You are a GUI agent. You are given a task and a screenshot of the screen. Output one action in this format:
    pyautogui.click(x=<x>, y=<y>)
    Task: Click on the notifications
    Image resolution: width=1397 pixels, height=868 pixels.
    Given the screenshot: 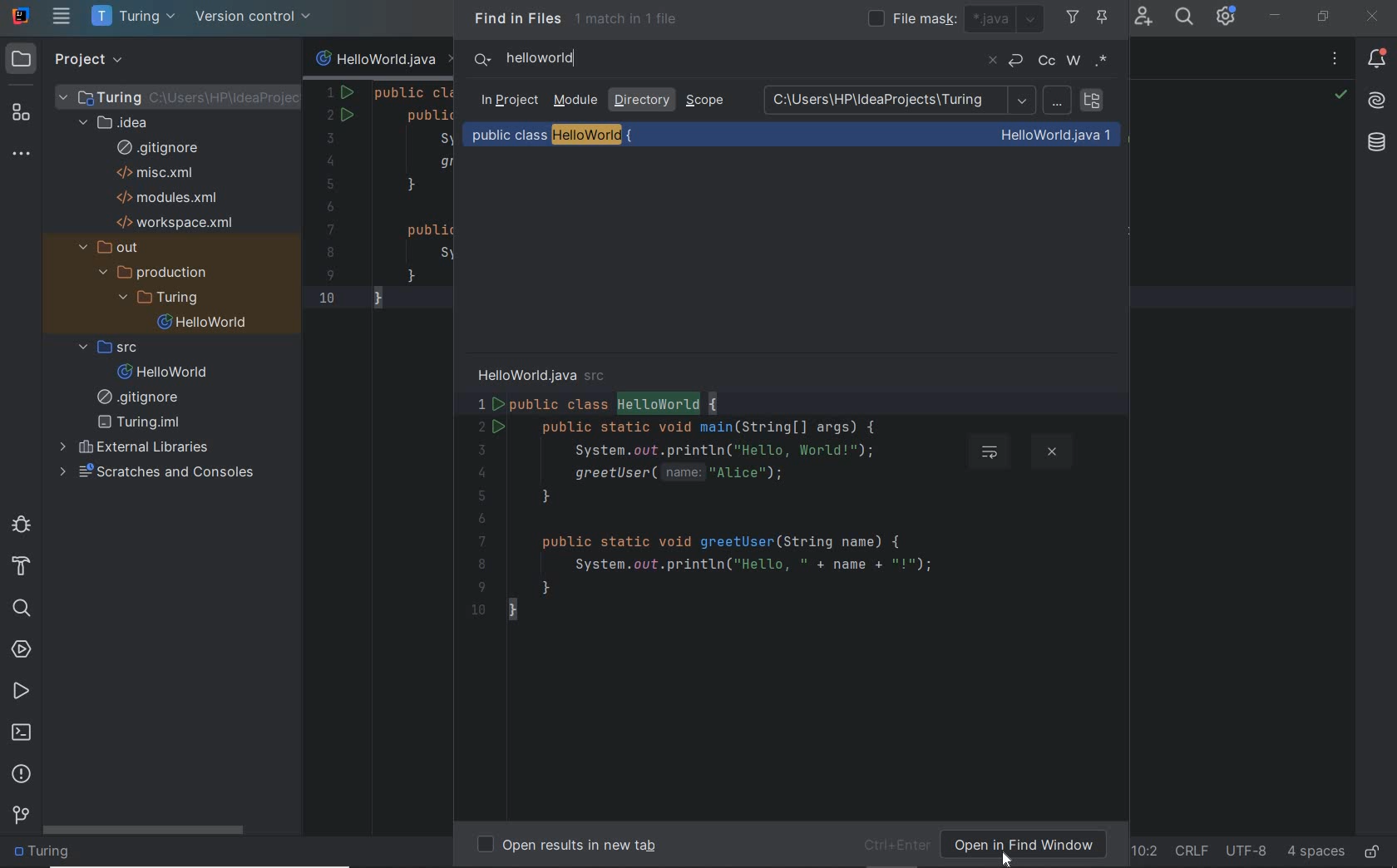 What is the action you would take?
    pyautogui.click(x=1376, y=58)
    